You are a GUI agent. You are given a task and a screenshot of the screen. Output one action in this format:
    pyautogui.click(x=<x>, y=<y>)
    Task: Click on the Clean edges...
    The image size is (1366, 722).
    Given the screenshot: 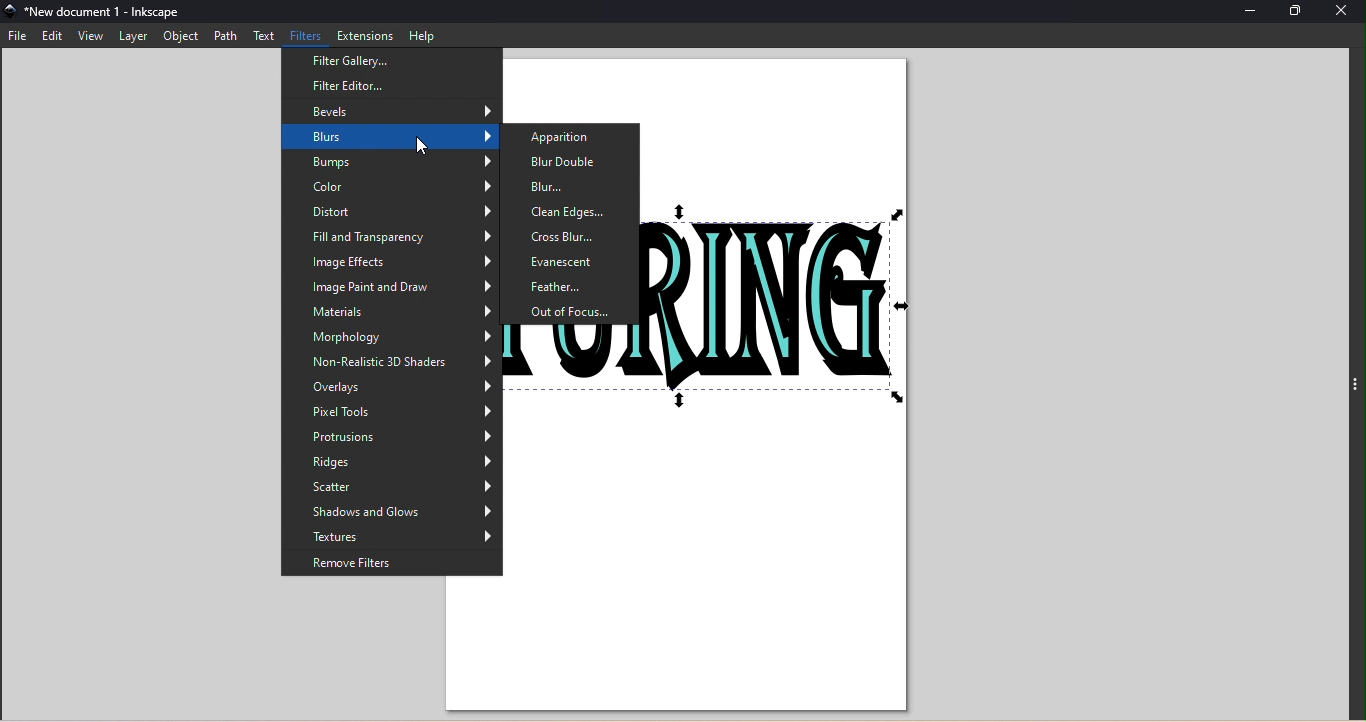 What is the action you would take?
    pyautogui.click(x=572, y=214)
    